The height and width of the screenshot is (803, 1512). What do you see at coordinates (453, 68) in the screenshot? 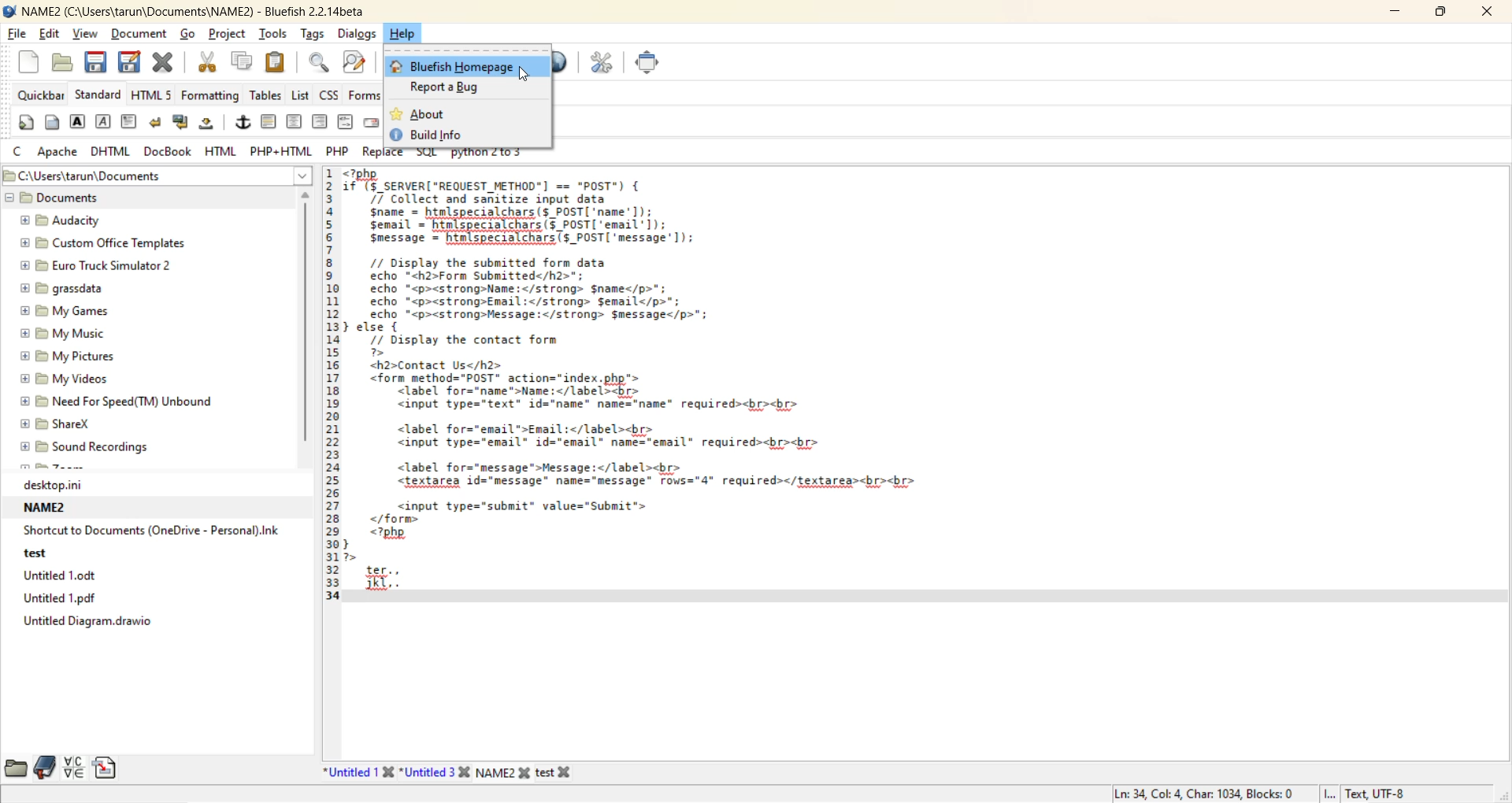
I see `bluefish homepage` at bounding box center [453, 68].